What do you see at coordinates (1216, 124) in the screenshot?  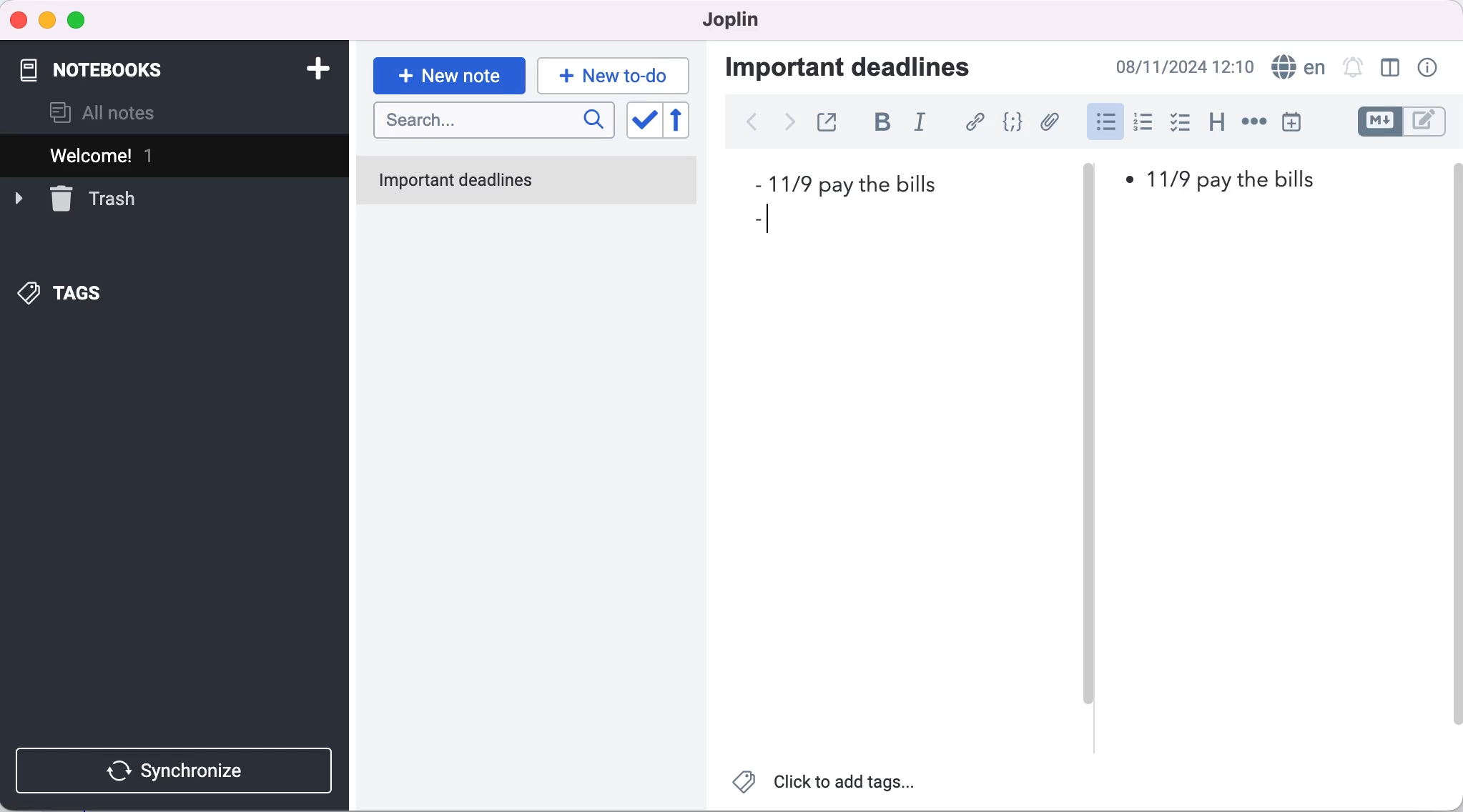 I see `heading` at bounding box center [1216, 124].